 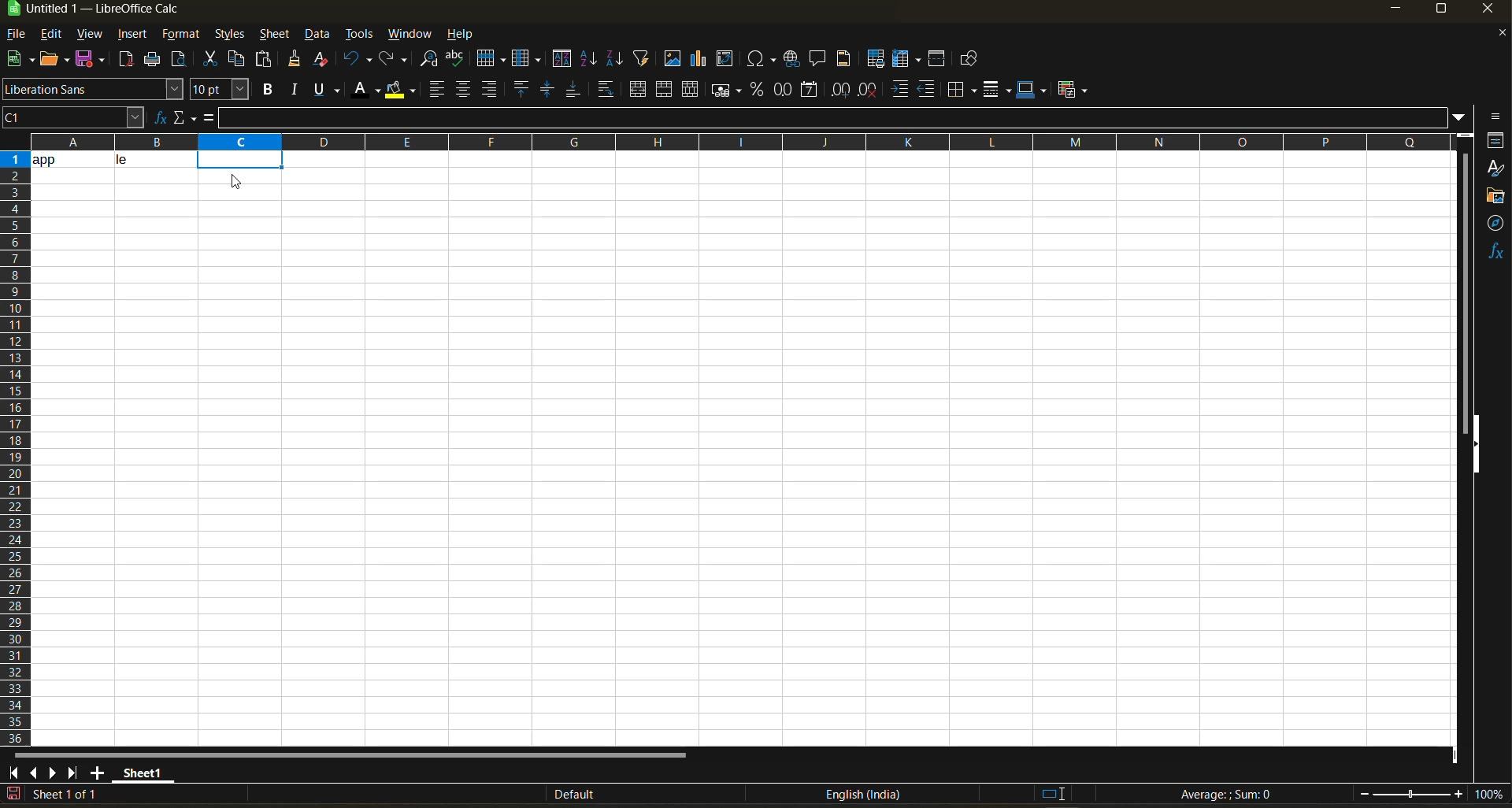 What do you see at coordinates (1496, 140) in the screenshot?
I see `properties` at bounding box center [1496, 140].